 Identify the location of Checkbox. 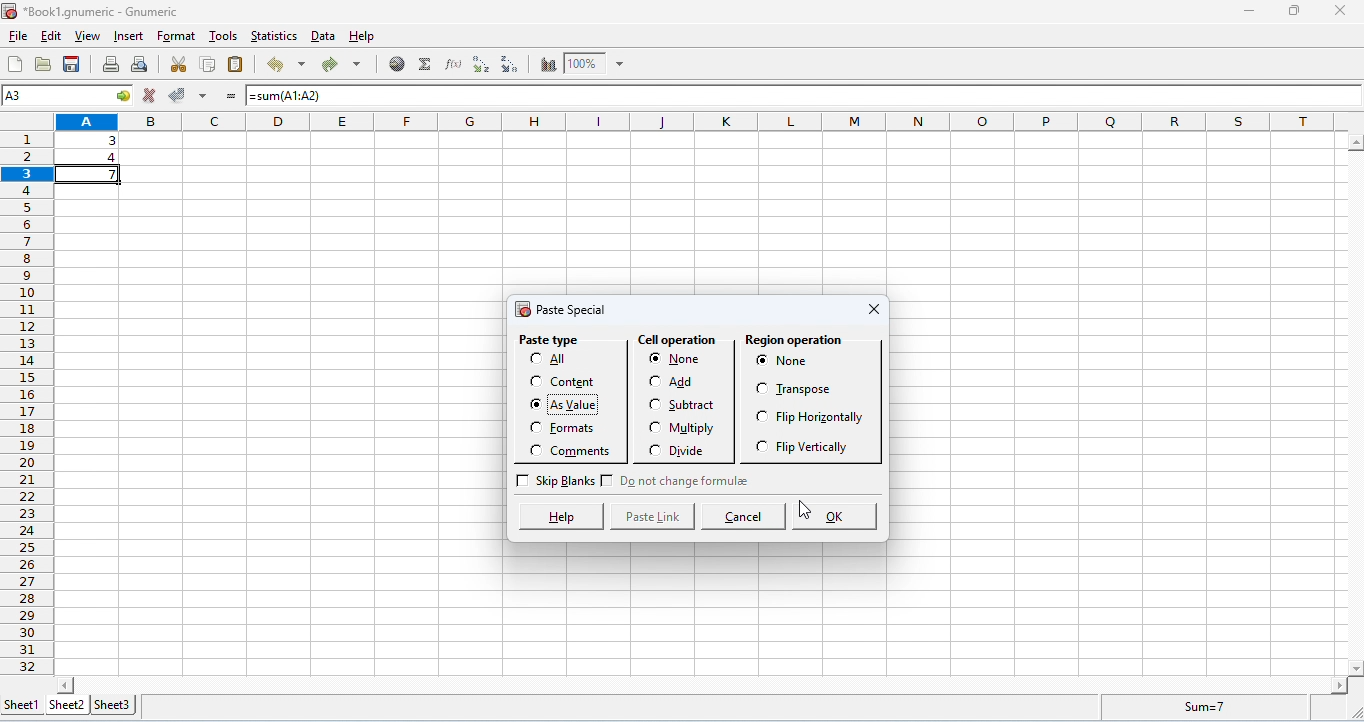
(652, 450).